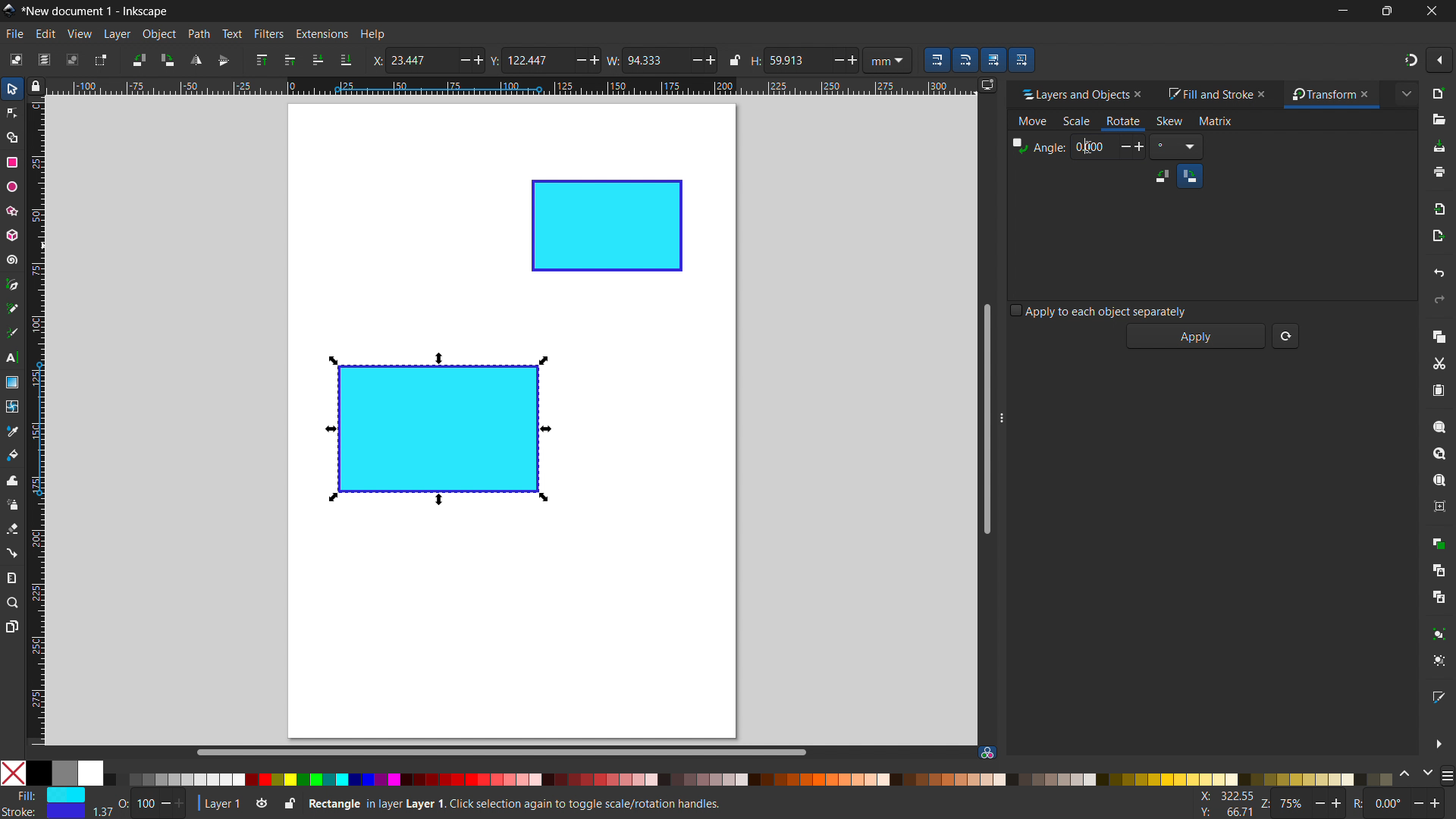 The image size is (1456, 819). What do you see at coordinates (1440, 696) in the screenshot?
I see `open fill and stroke` at bounding box center [1440, 696].